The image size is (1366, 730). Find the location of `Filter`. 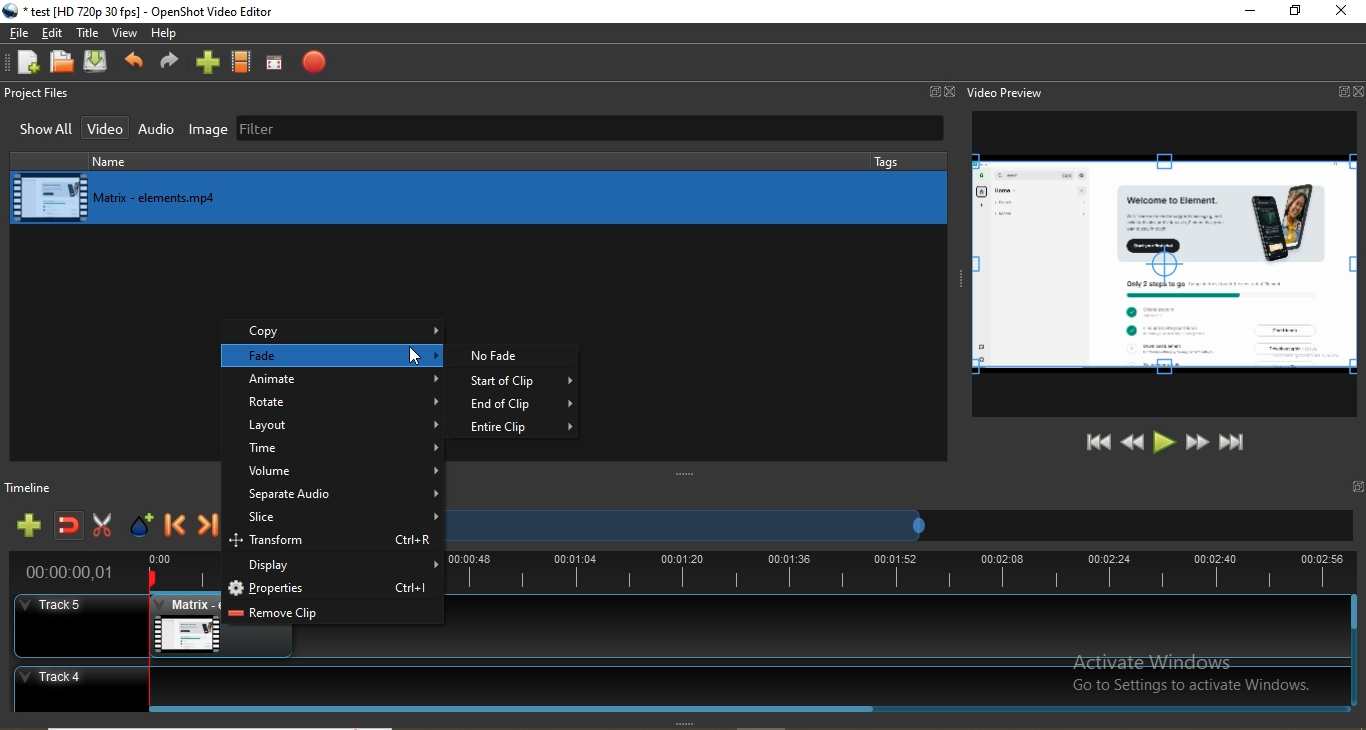

Filter is located at coordinates (590, 130).